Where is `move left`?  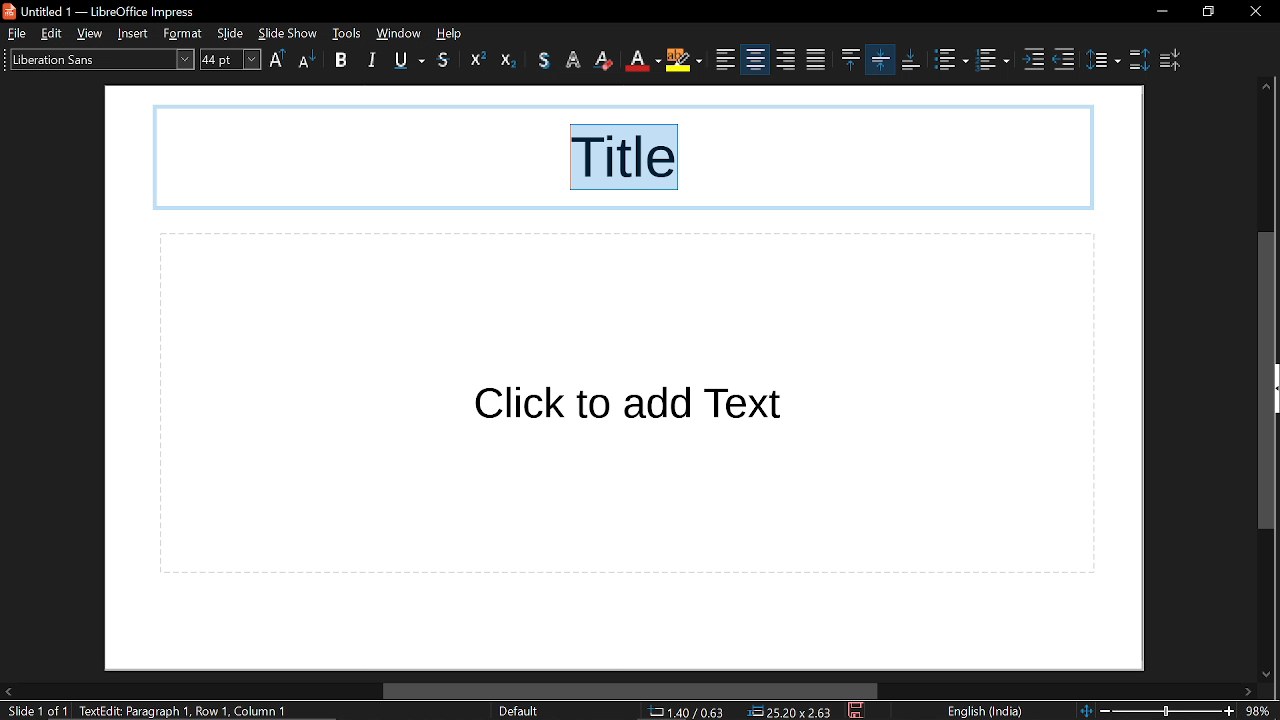 move left is located at coordinates (8, 692).